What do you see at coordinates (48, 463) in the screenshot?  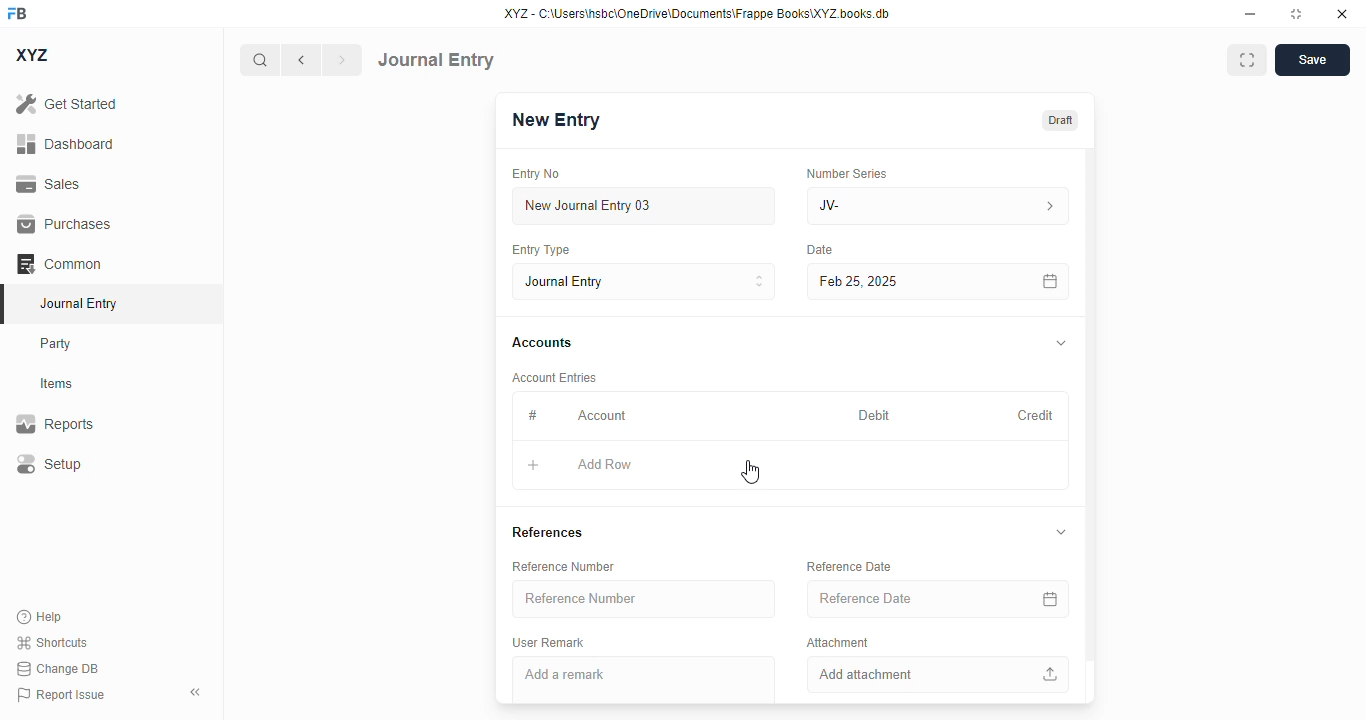 I see `setup` at bounding box center [48, 463].